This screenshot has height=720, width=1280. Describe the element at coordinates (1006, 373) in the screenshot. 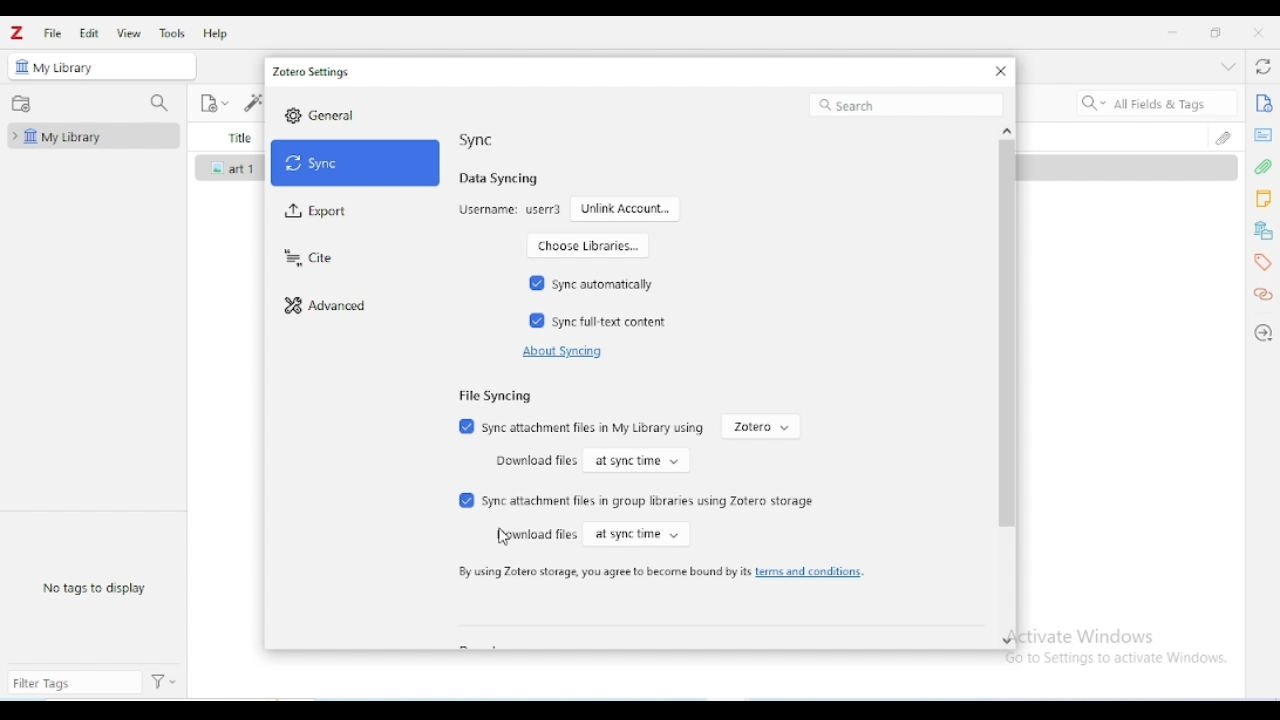

I see `vertical scroll bar` at that location.